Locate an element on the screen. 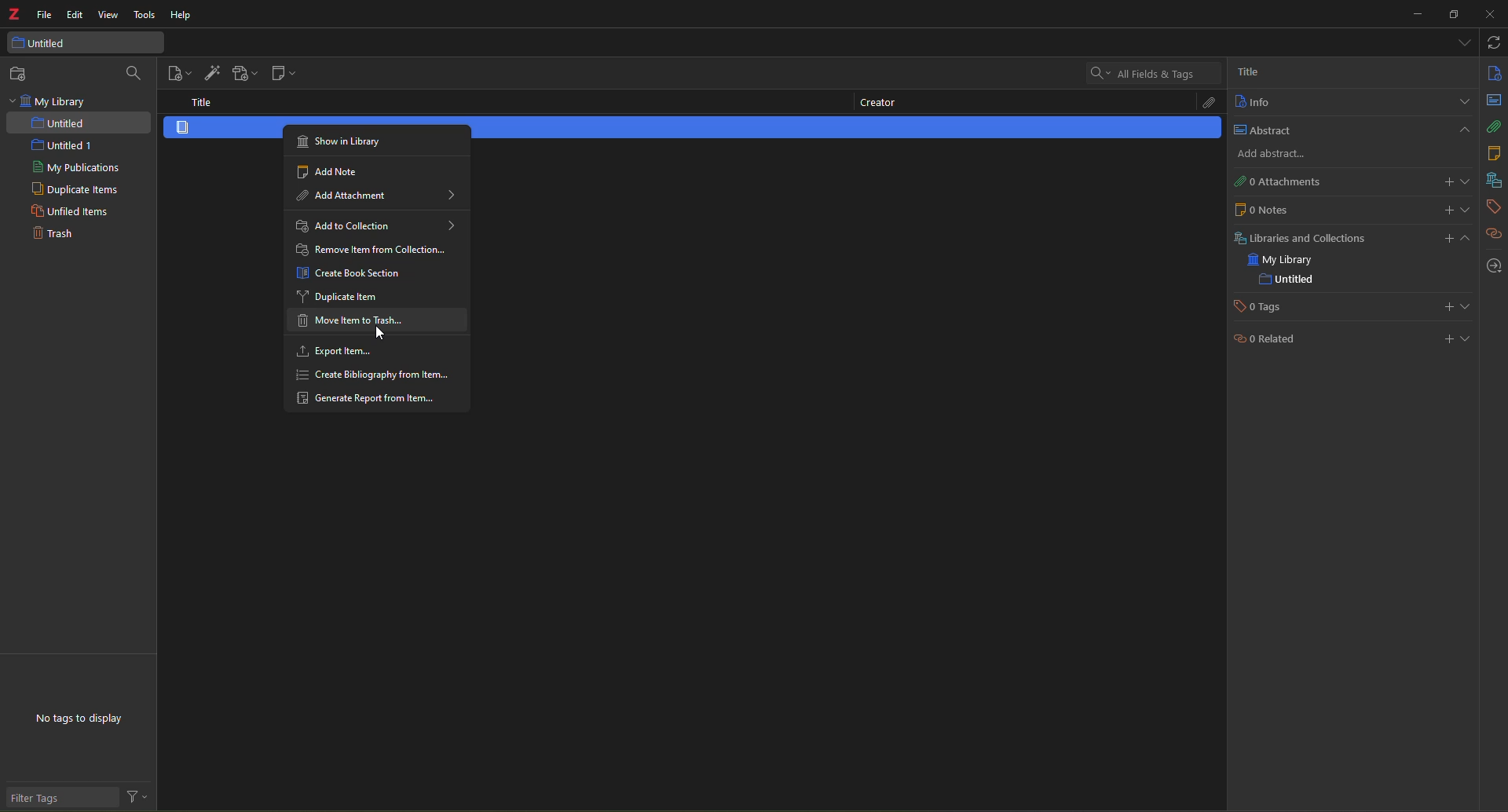 The width and height of the screenshot is (1508, 812). info is located at coordinates (1493, 72).